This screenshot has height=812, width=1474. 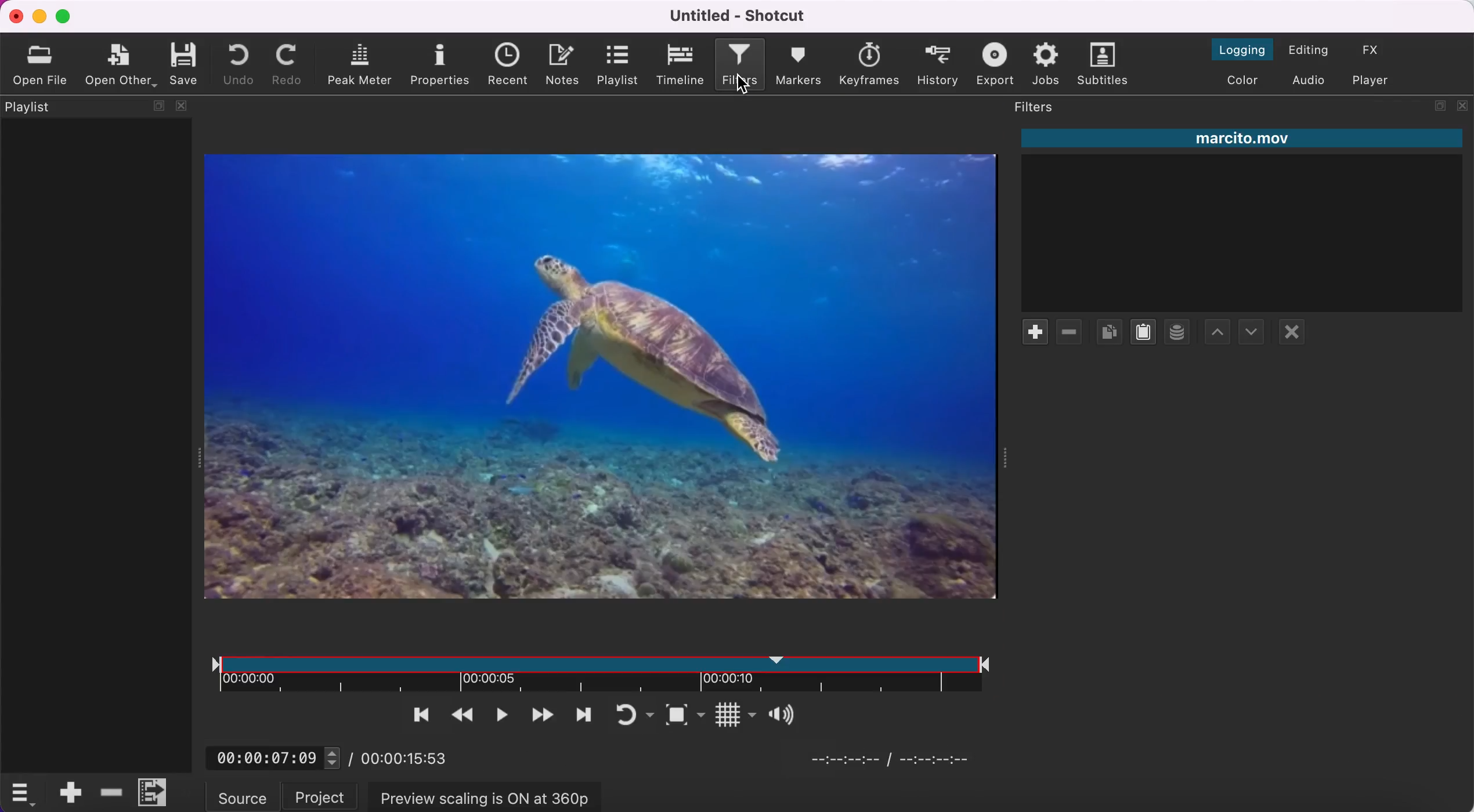 I want to click on playlist panel, so click(x=95, y=296).